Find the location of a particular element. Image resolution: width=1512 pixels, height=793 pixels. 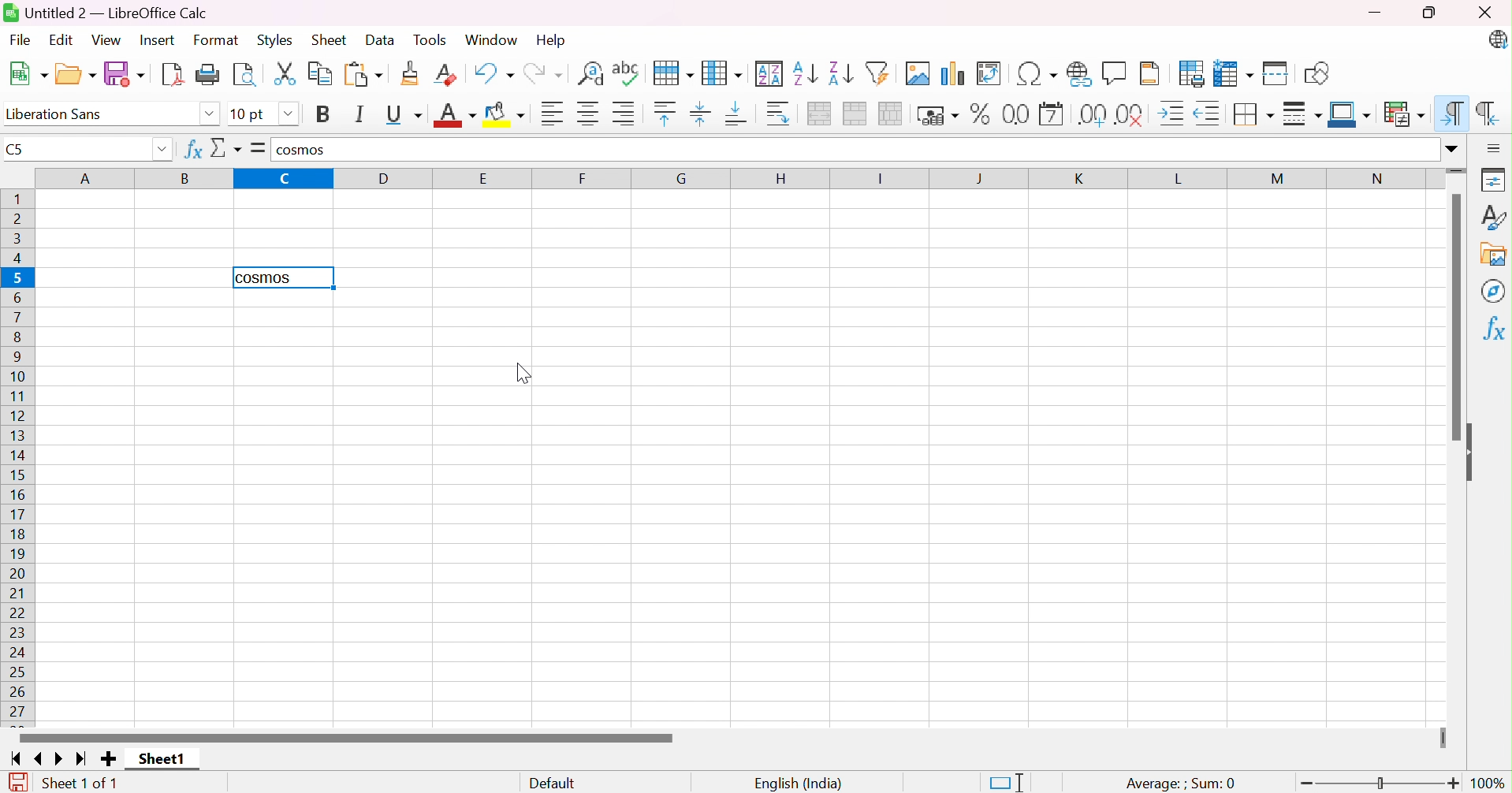

Insert Chart is located at coordinates (955, 72).